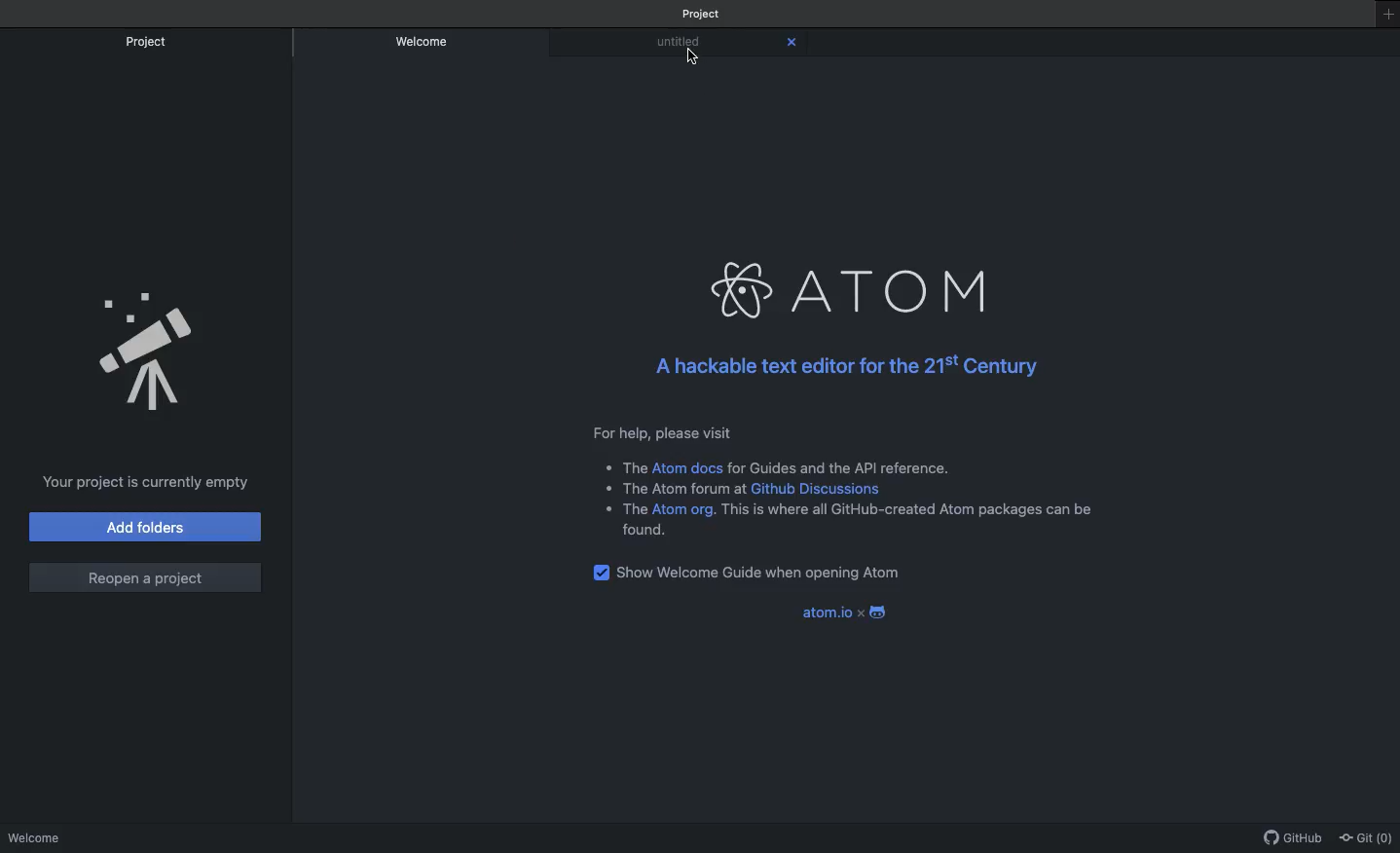 Image resolution: width=1400 pixels, height=853 pixels. Describe the element at coordinates (140, 343) in the screenshot. I see `Emblem` at that location.